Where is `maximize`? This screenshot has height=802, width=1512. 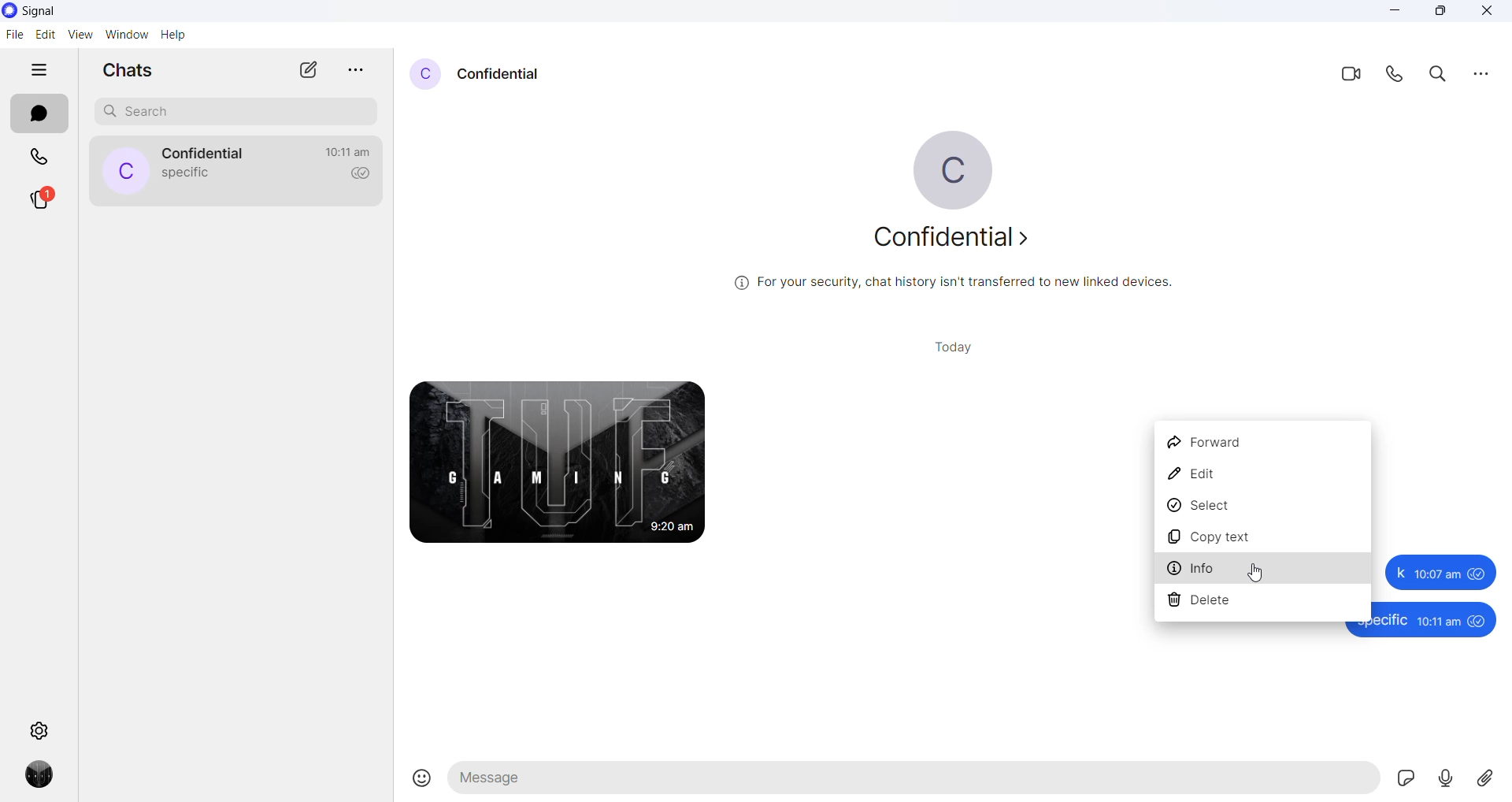 maximize is located at coordinates (1440, 12).